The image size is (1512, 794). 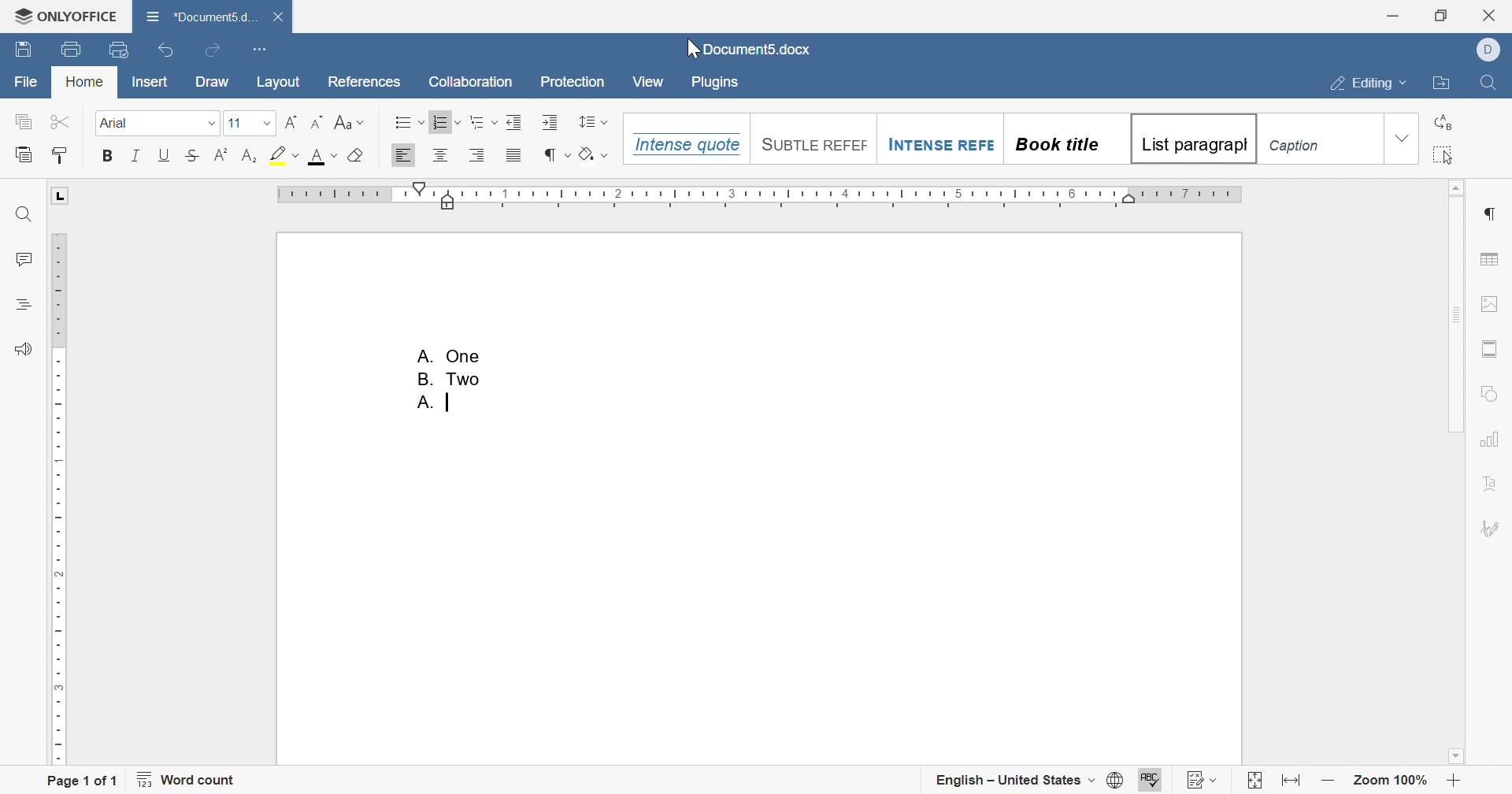 I want to click on redo, so click(x=212, y=51).